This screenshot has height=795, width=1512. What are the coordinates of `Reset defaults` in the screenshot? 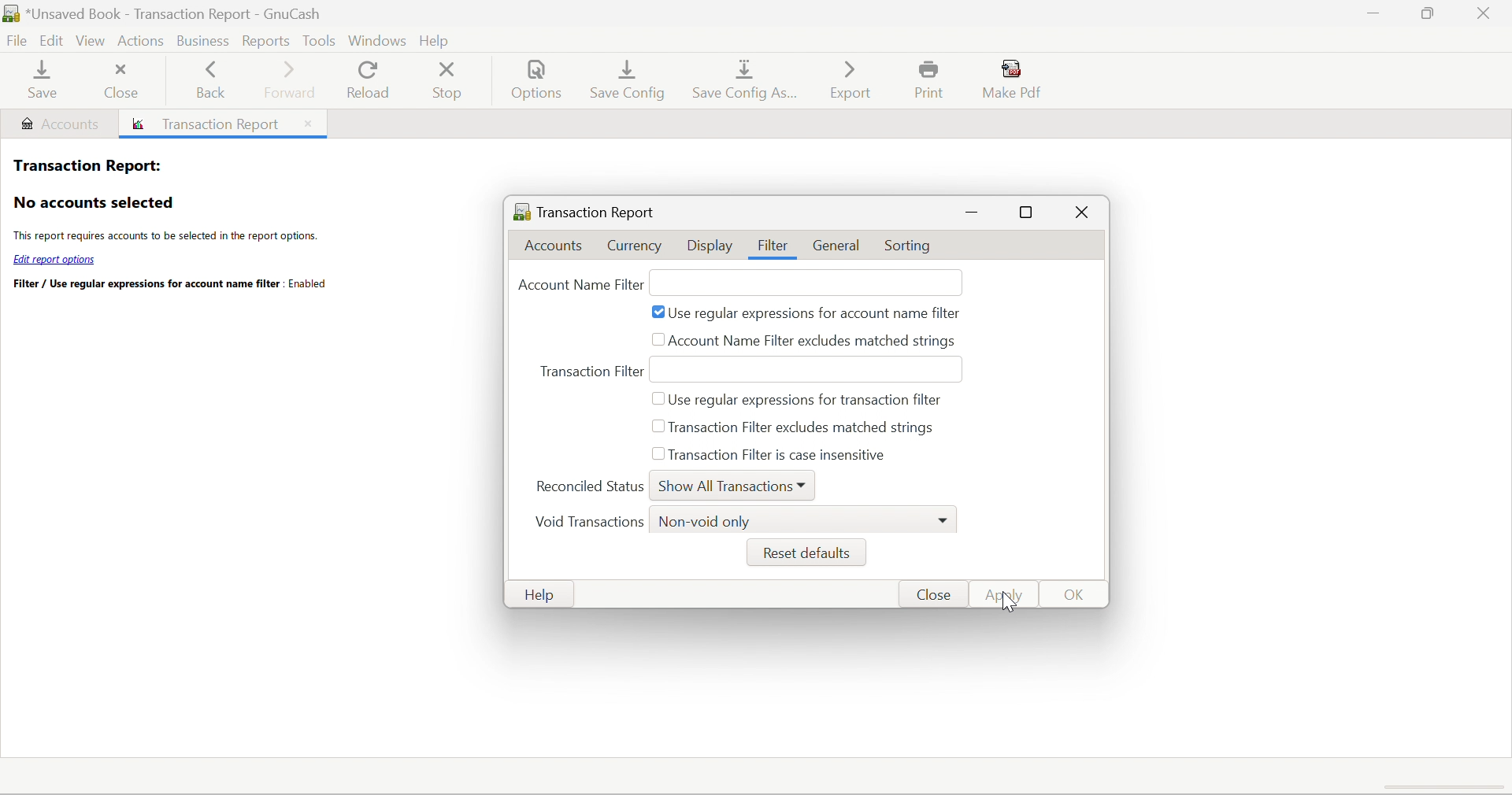 It's located at (804, 553).